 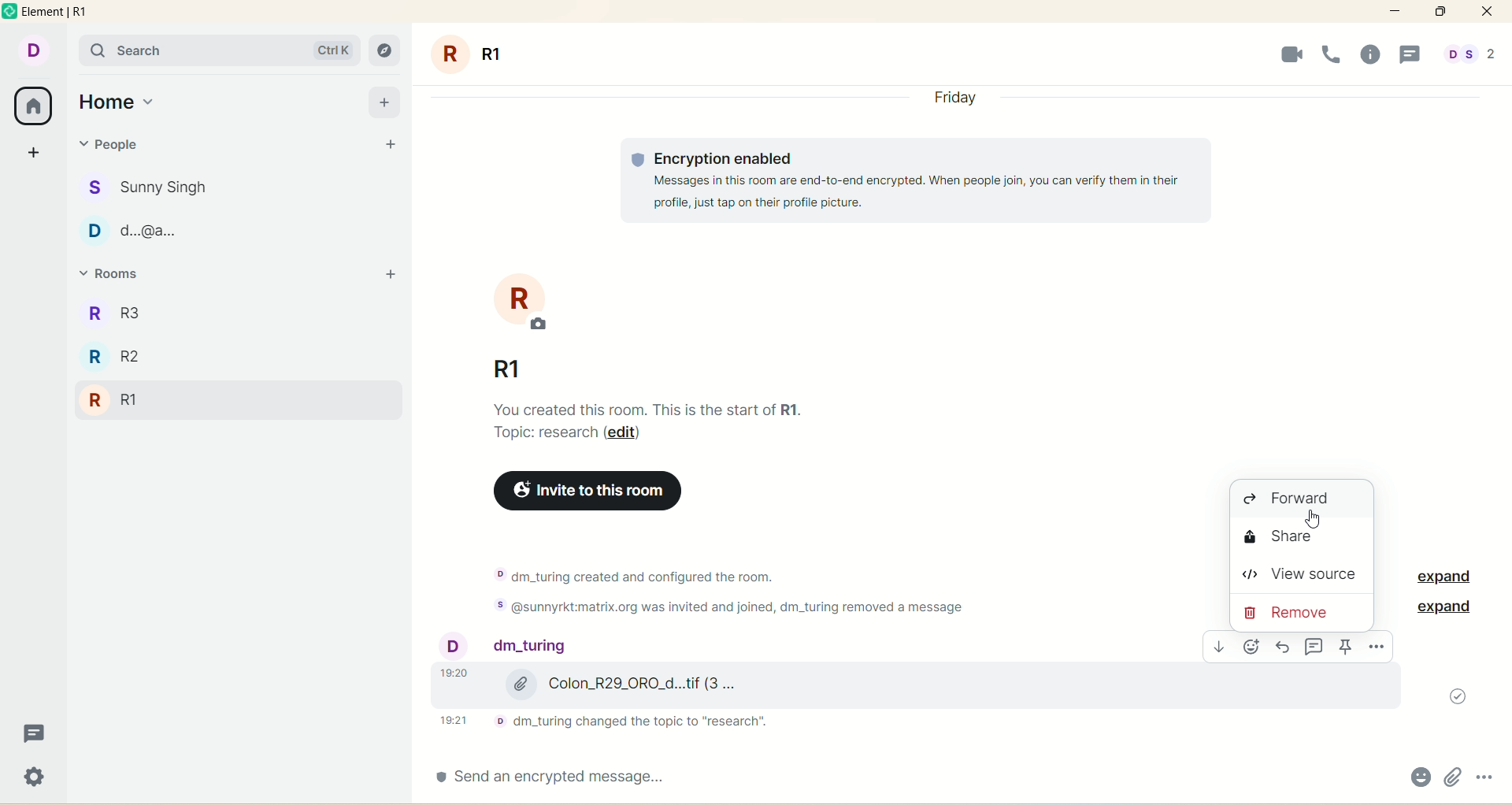 What do you see at coordinates (121, 148) in the screenshot?
I see `people` at bounding box center [121, 148].